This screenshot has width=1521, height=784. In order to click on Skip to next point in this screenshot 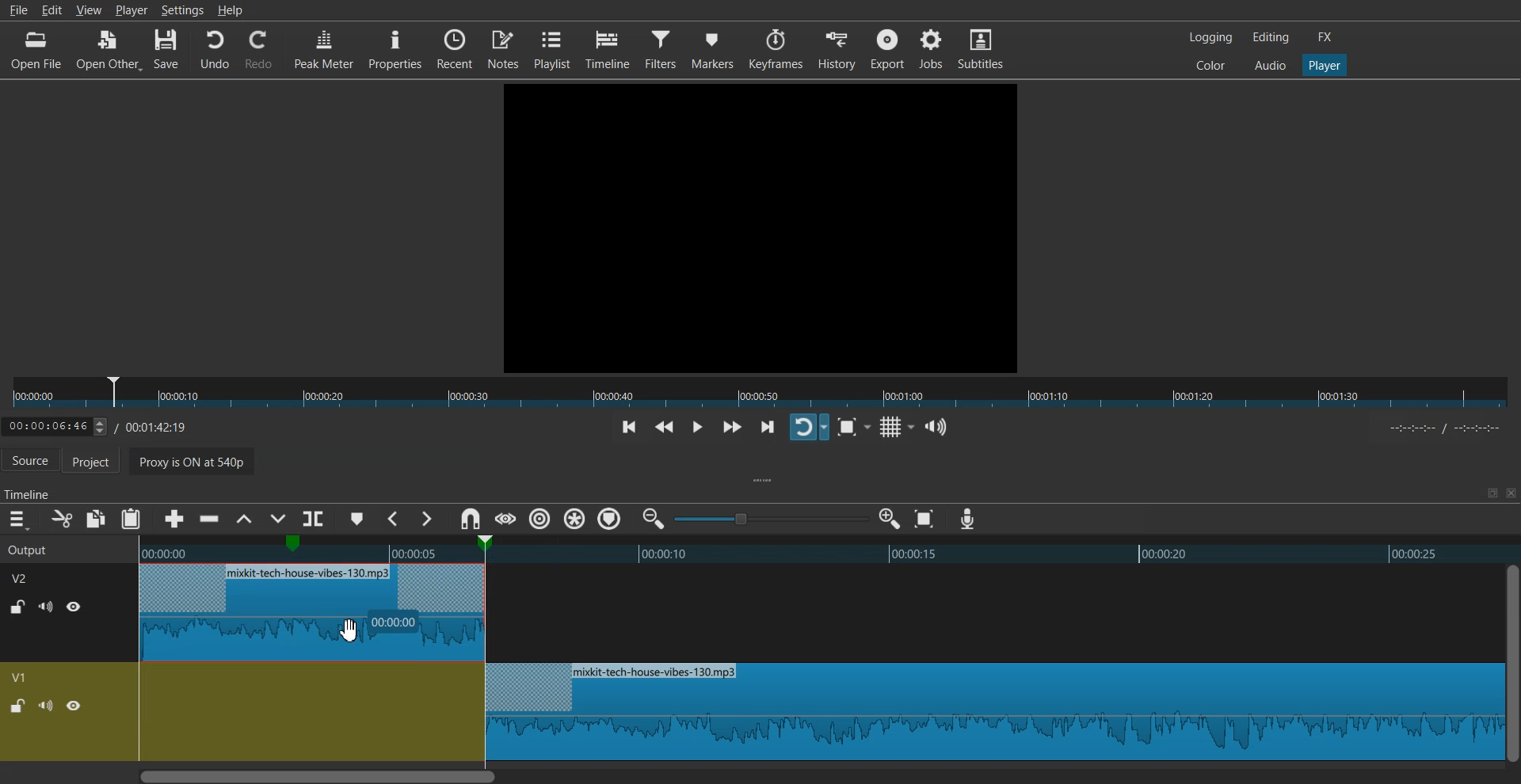, I will do `click(769, 428)`.